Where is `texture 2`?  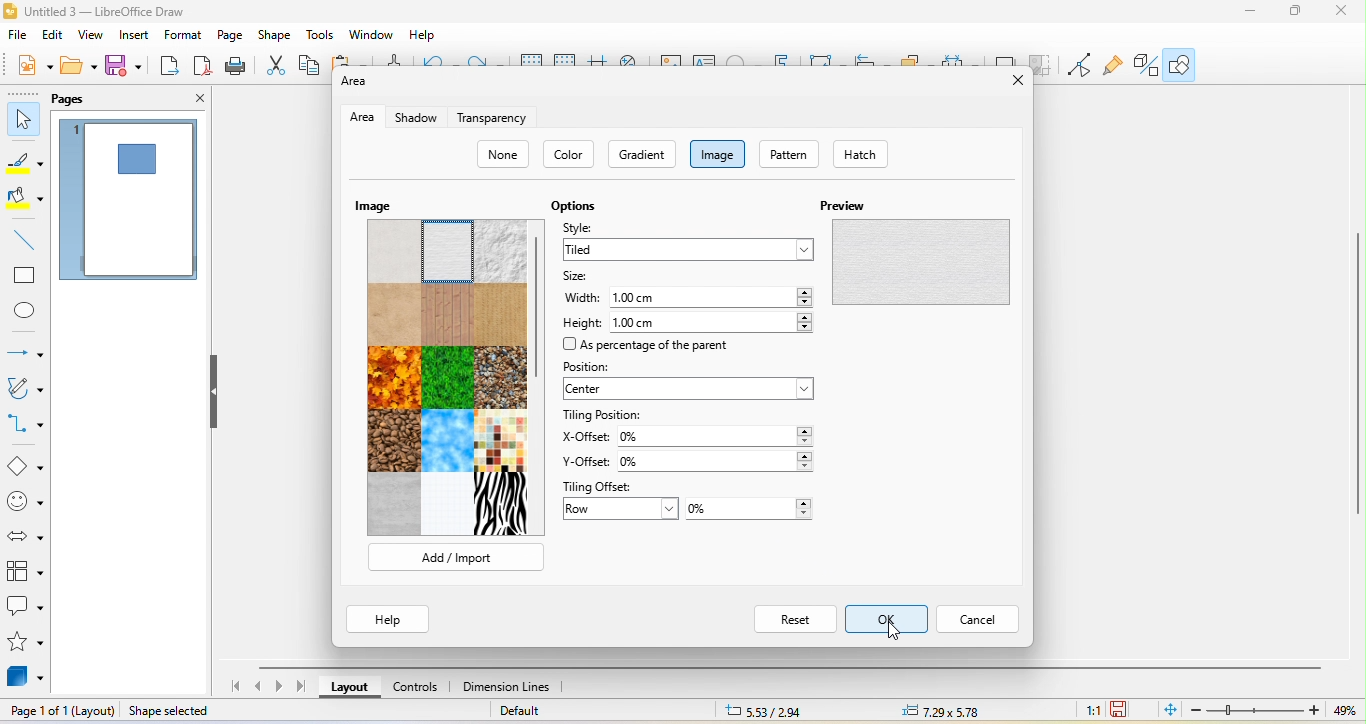 texture 2 is located at coordinates (447, 250).